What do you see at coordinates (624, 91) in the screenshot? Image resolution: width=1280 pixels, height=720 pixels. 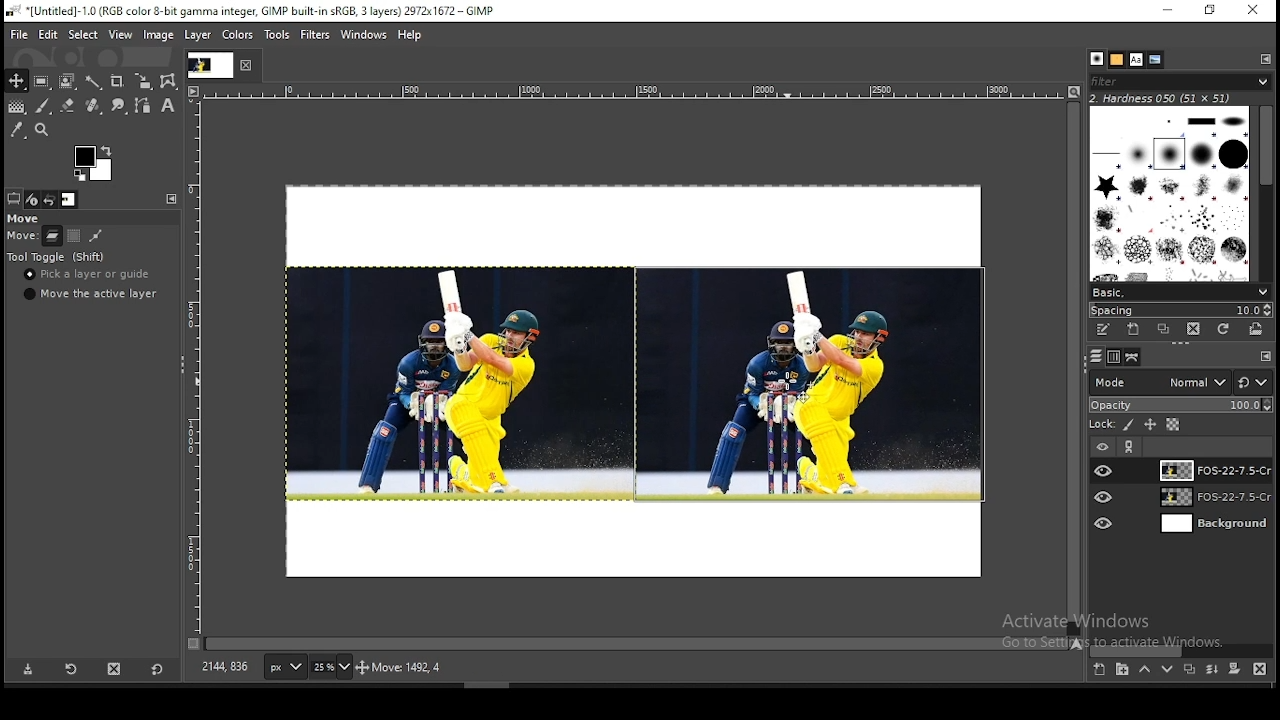 I see `scale` at bounding box center [624, 91].